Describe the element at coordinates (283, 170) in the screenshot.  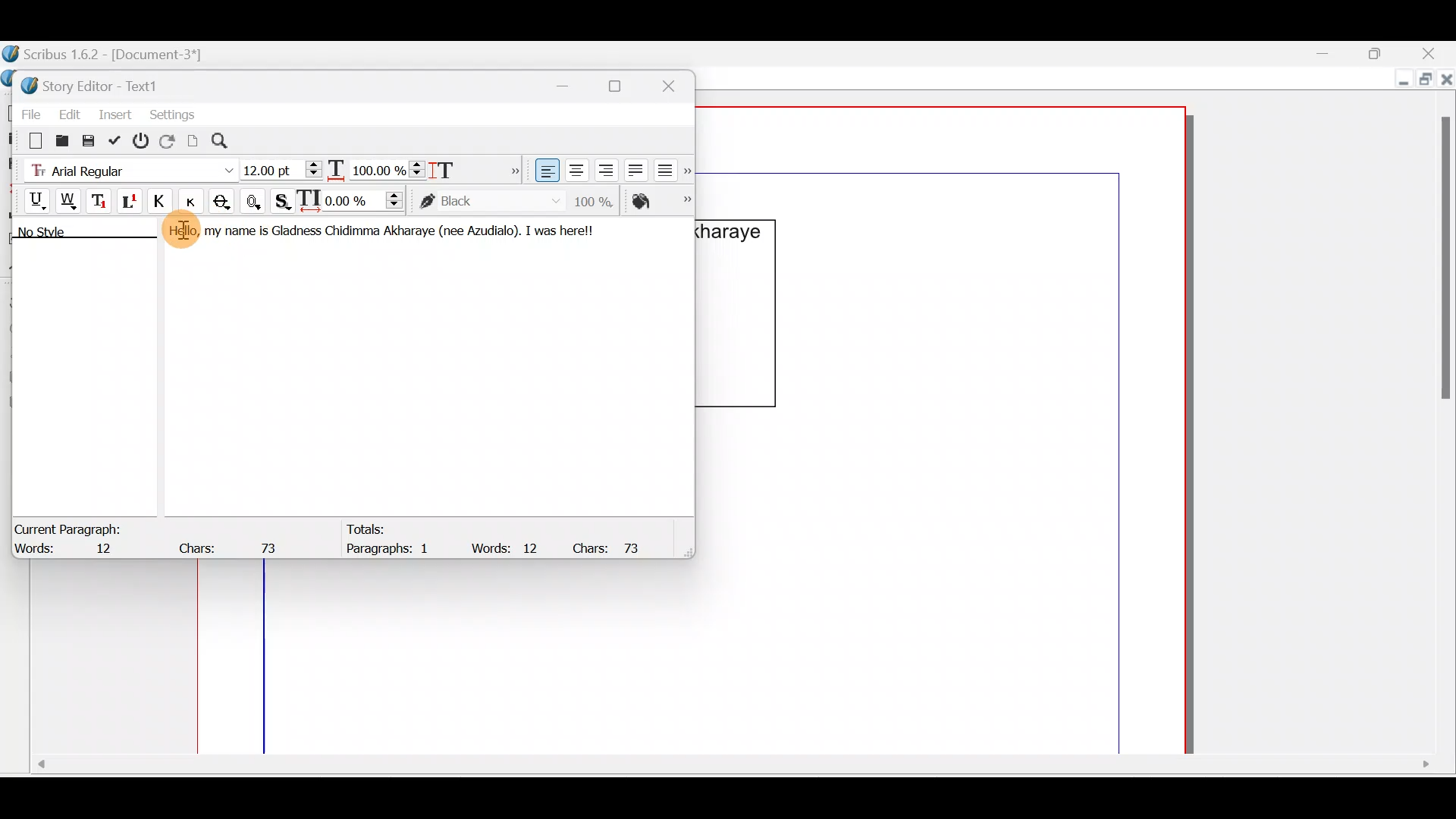
I see `Font size - 12:00pt` at that location.